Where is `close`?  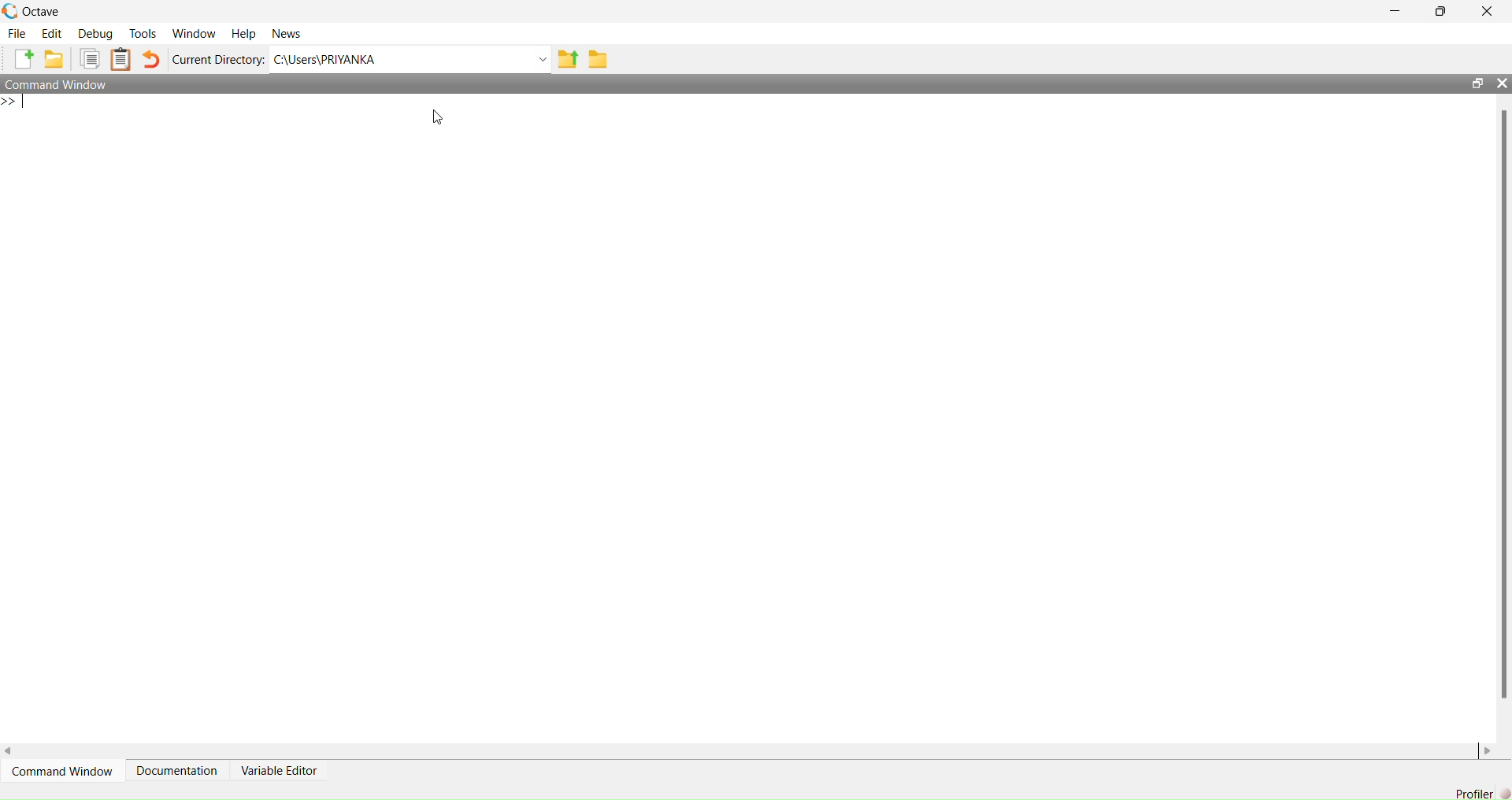
close is located at coordinates (1488, 11).